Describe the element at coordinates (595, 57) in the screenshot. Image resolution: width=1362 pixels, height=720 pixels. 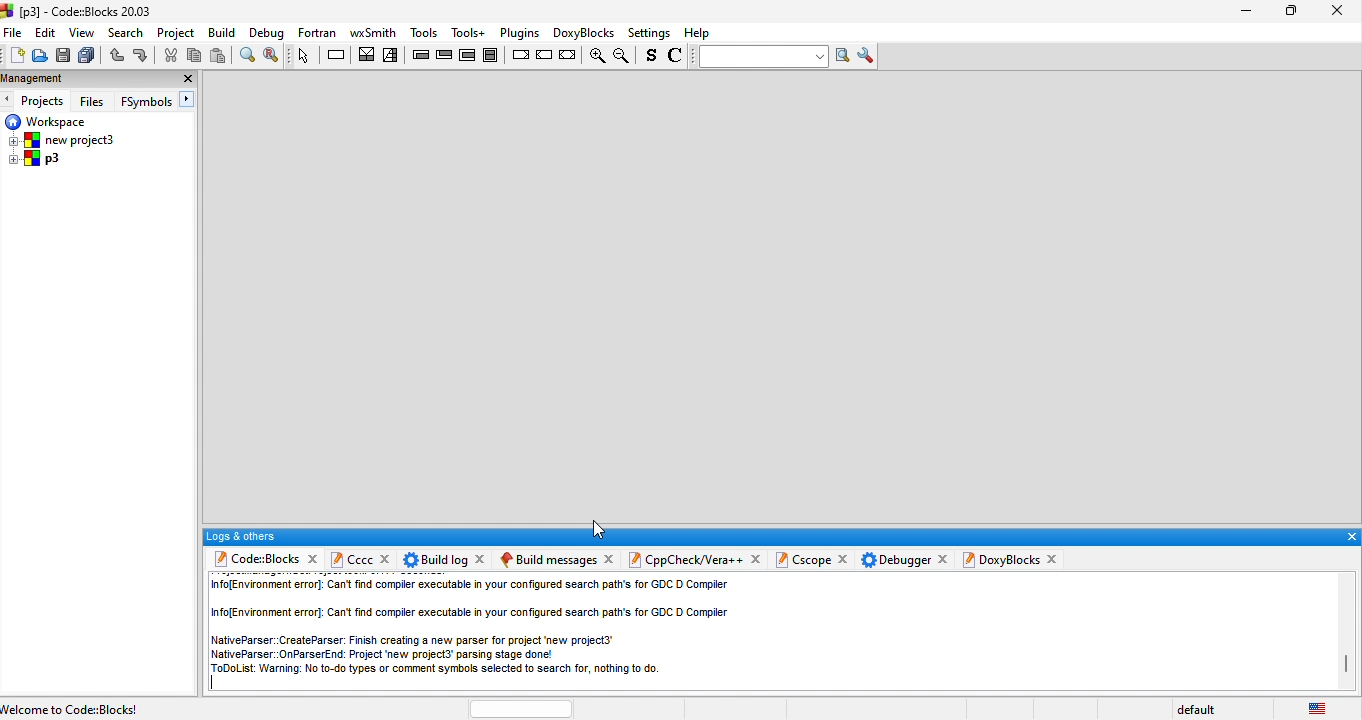
I see `zoom in` at that location.